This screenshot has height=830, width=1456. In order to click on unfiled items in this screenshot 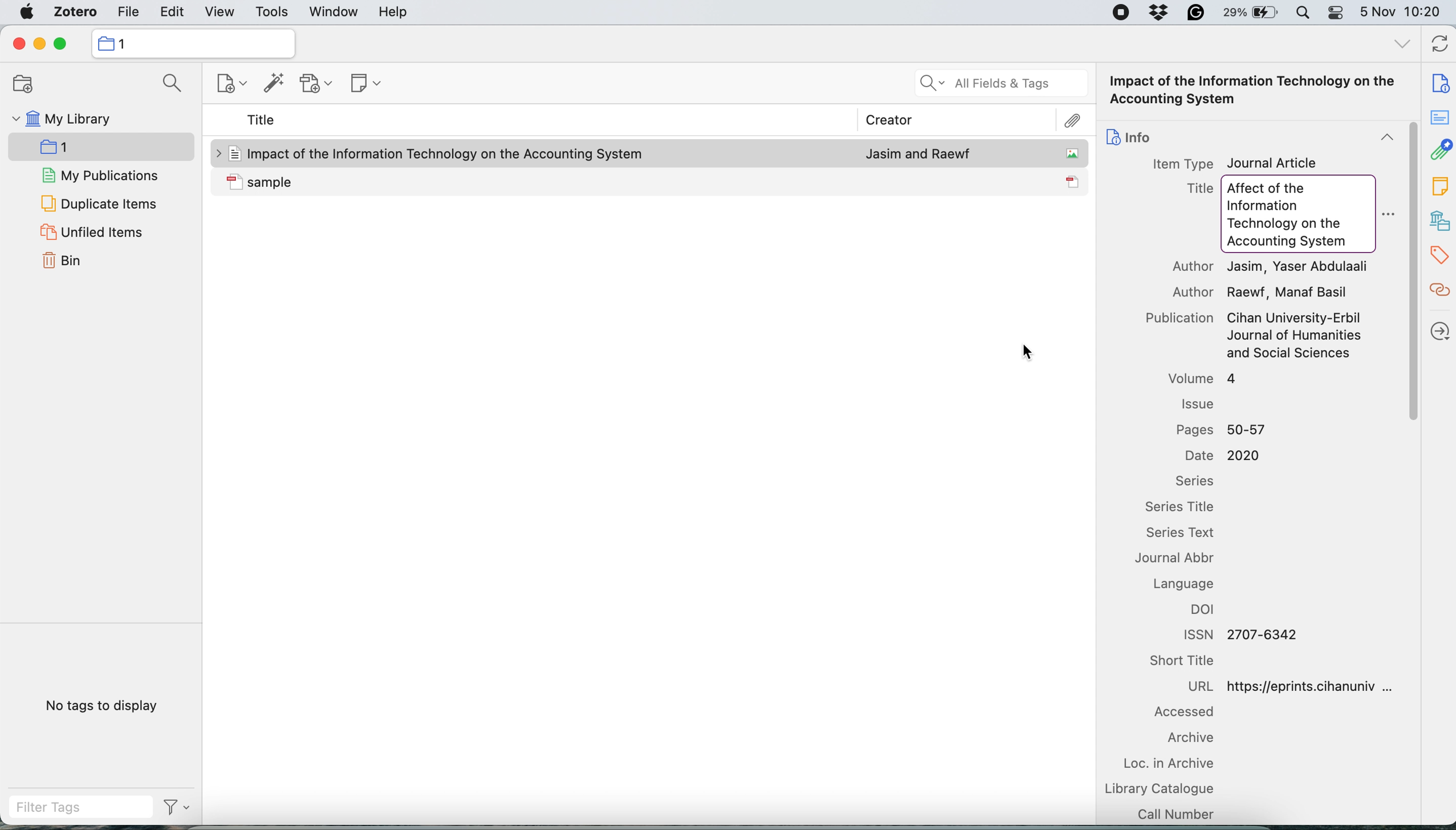, I will do `click(92, 232)`.